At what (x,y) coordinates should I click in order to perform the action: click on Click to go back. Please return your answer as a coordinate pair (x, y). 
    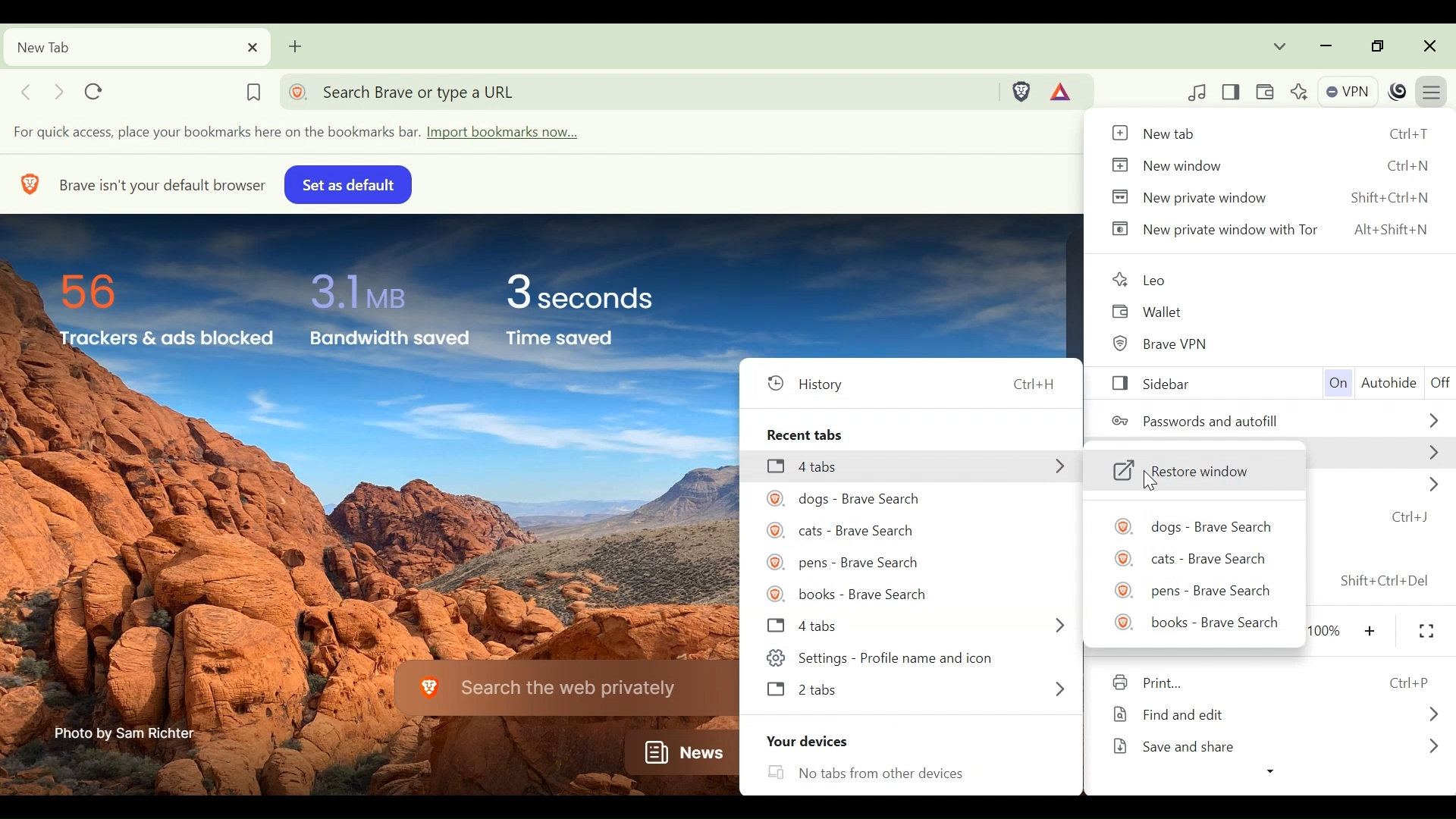
    Looking at the image, I should click on (25, 91).